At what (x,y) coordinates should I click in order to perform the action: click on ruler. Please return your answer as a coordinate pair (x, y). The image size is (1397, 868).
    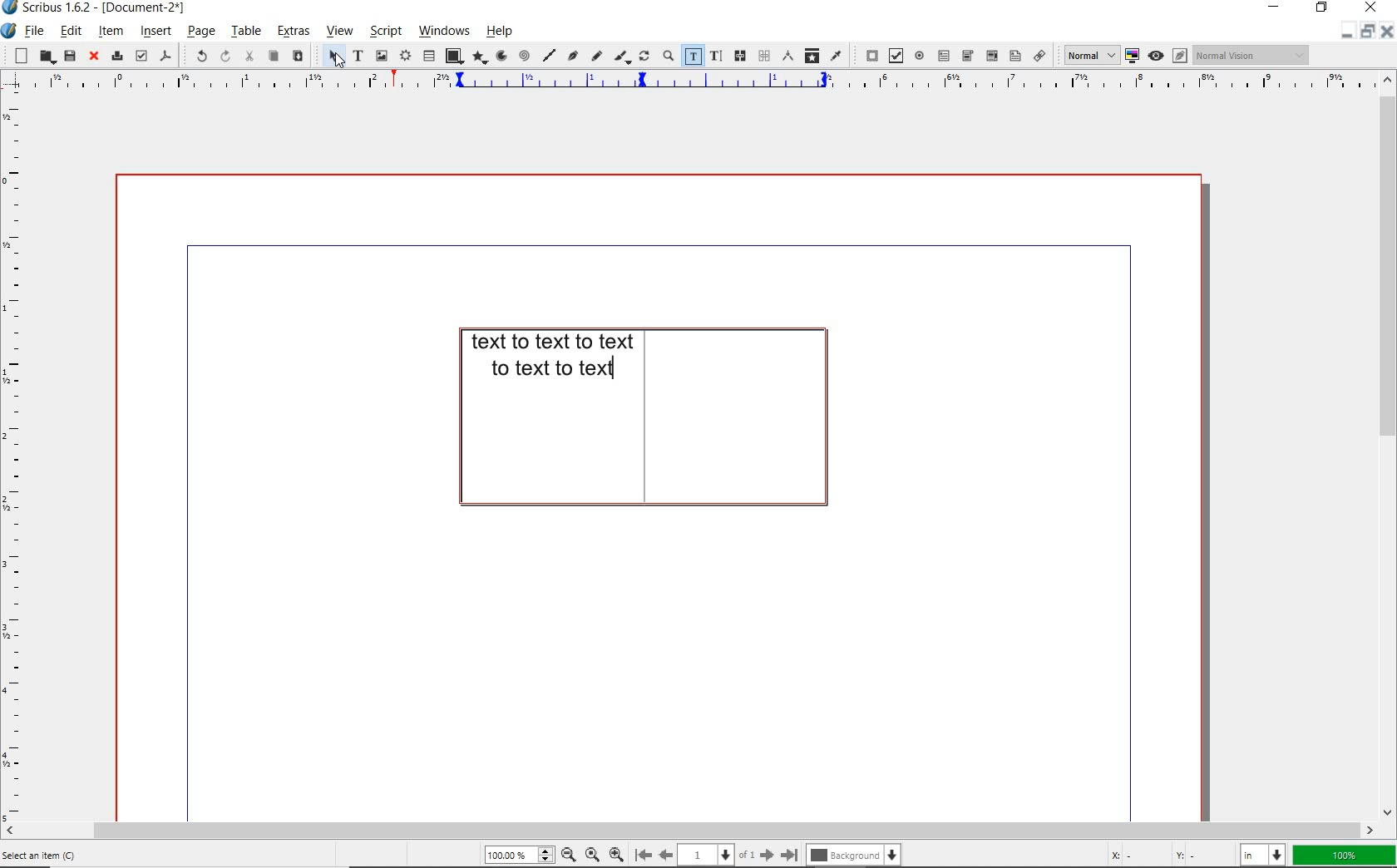
    Looking at the image, I should click on (700, 83).